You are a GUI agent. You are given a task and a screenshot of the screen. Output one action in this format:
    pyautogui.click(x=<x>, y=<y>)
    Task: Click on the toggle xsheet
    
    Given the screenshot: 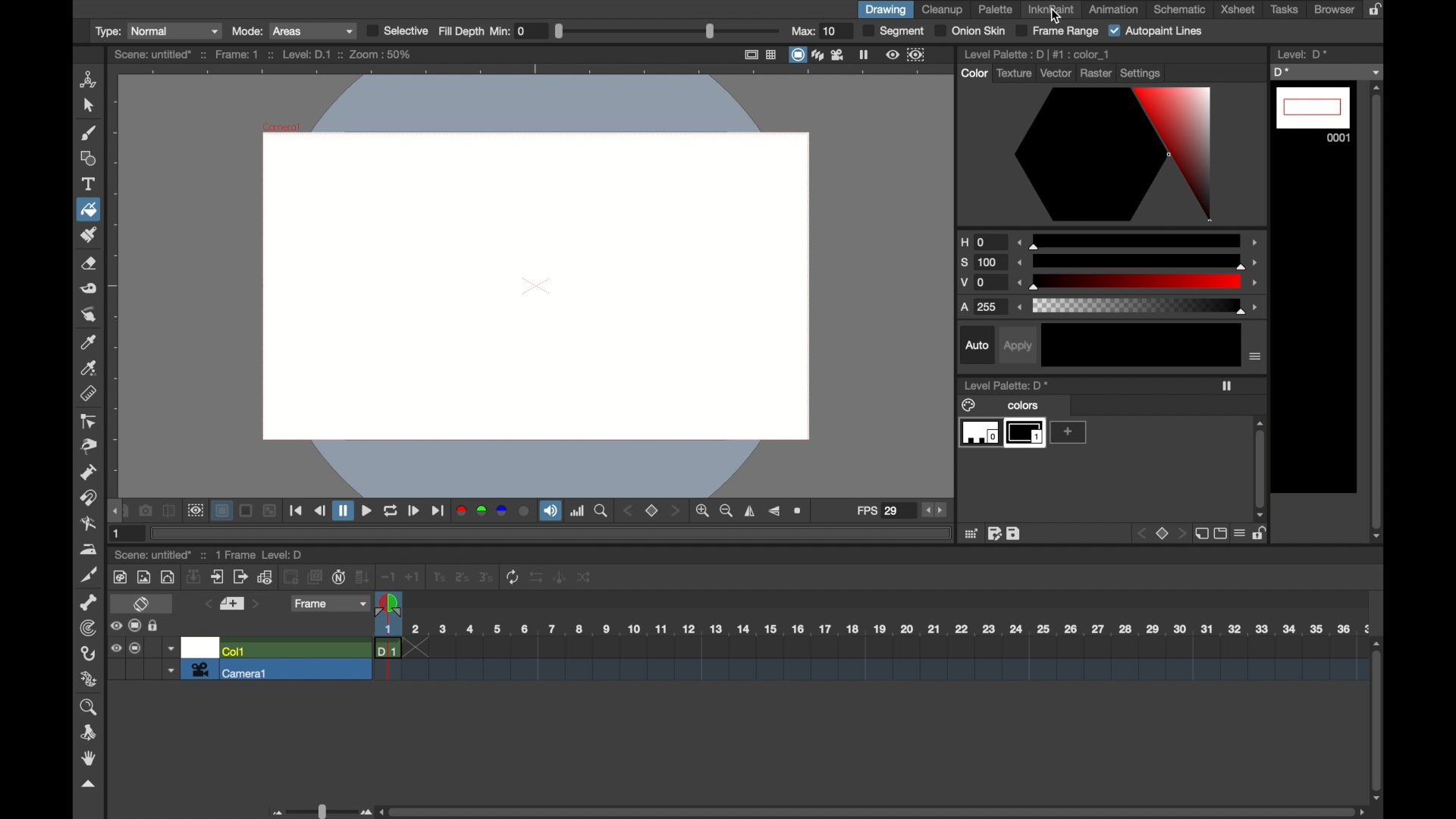 What is the action you would take?
    pyautogui.click(x=143, y=604)
    